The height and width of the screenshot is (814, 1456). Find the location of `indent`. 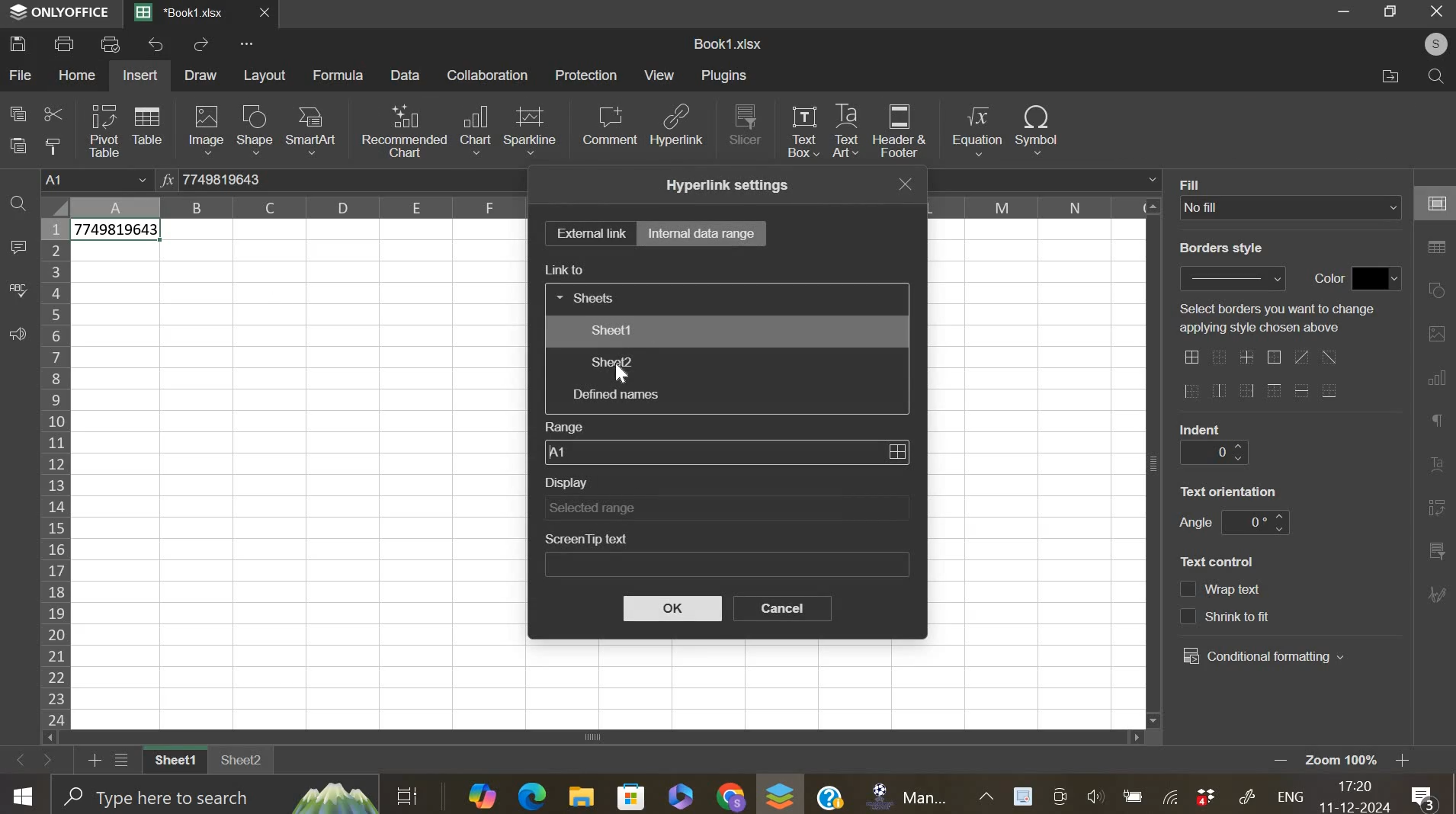

indent is located at coordinates (1213, 453).